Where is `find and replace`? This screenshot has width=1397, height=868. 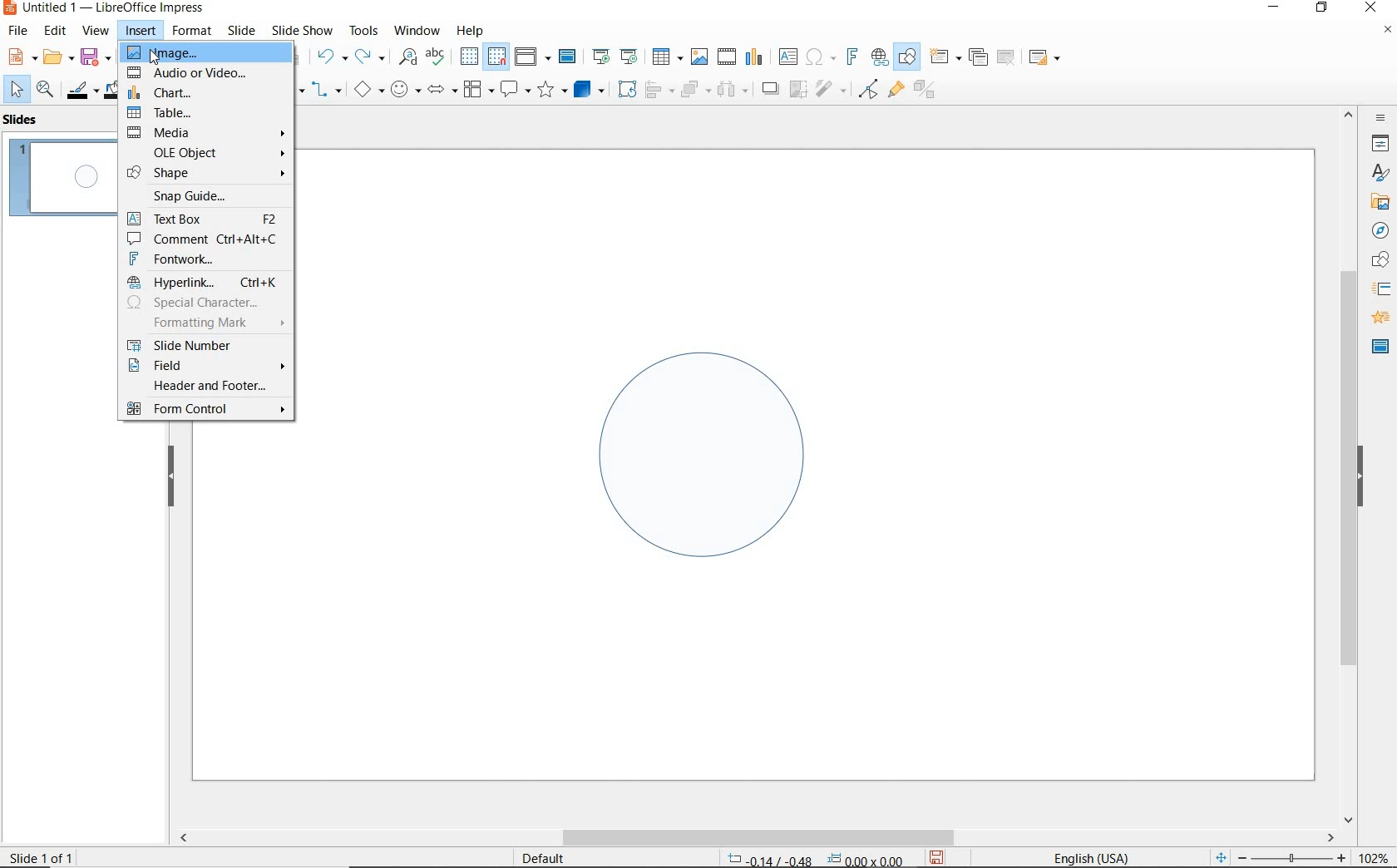 find and replace is located at coordinates (407, 57).